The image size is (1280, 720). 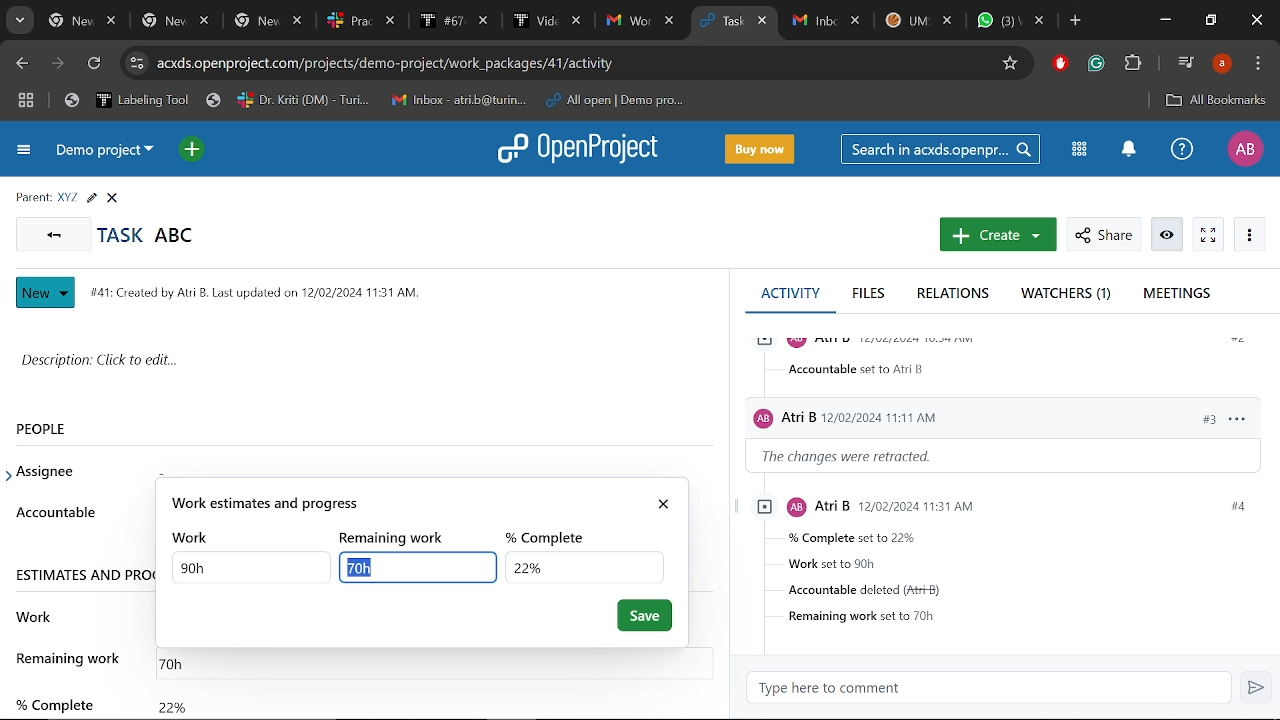 I want to click on Space for writting description, so click(x=366, y=364).